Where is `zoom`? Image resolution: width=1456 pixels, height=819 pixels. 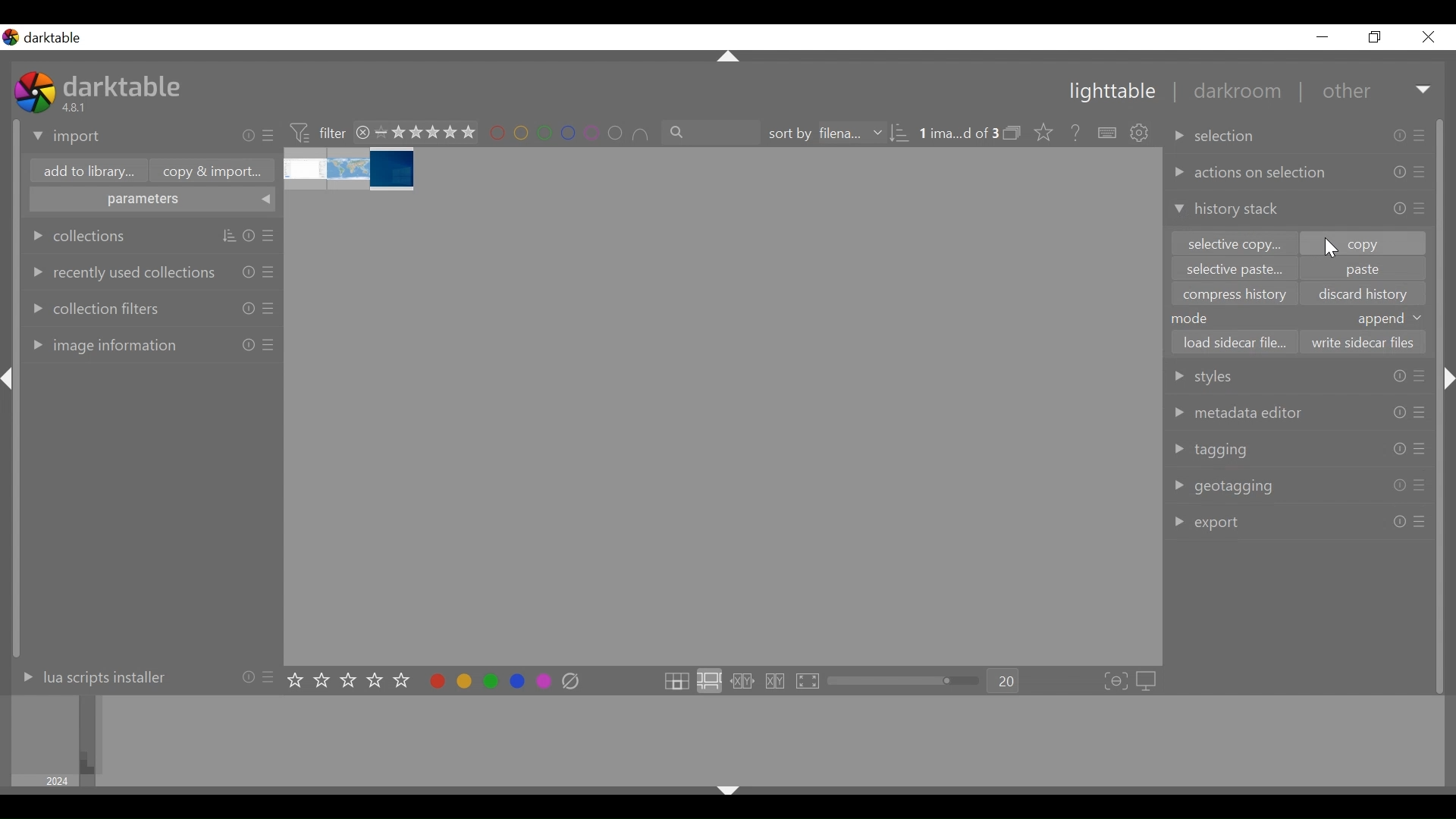 zoom is located at coordinates (904, 681).